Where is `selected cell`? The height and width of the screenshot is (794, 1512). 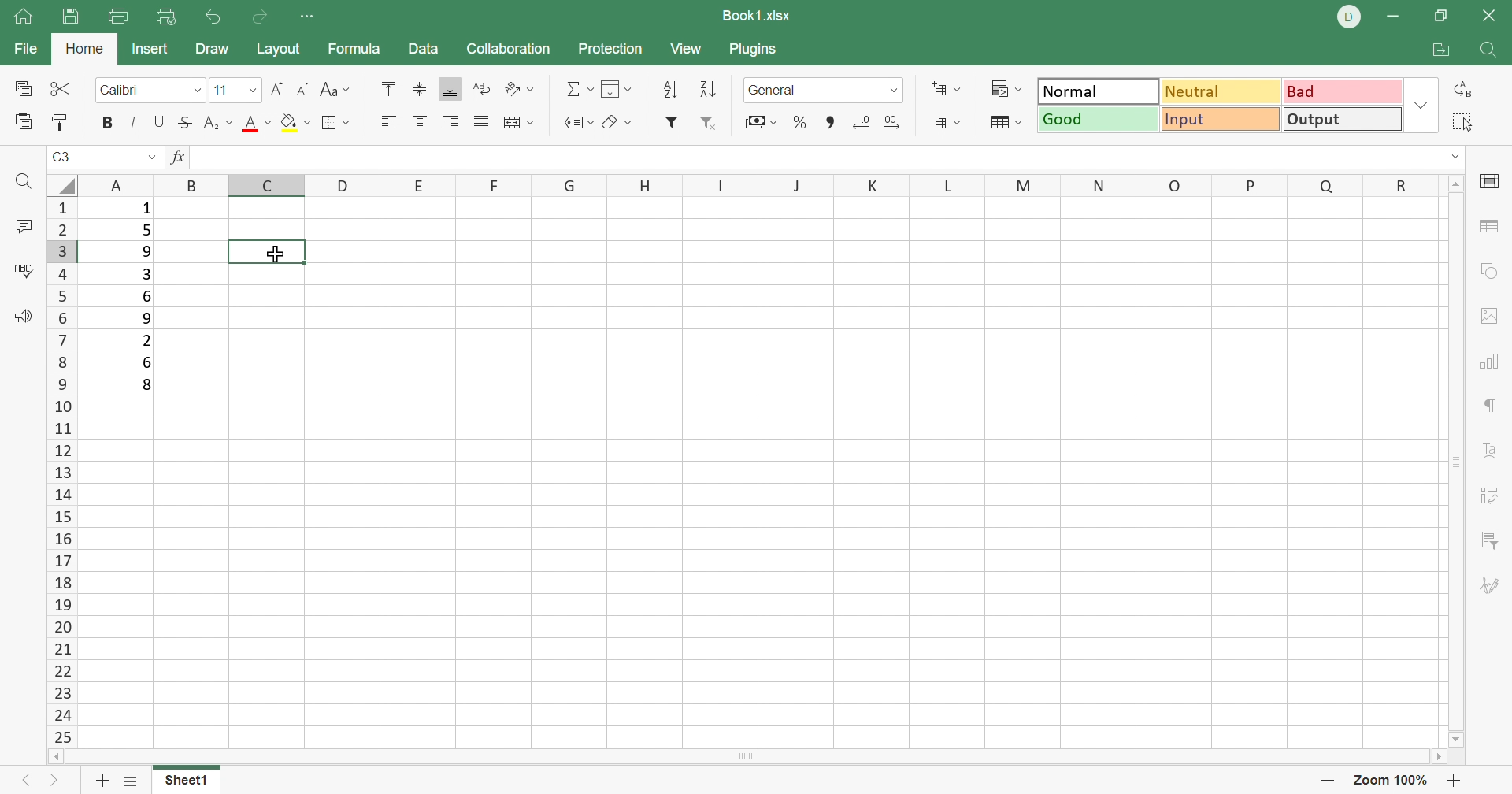
selected cell is located at coordinates (270, 253).